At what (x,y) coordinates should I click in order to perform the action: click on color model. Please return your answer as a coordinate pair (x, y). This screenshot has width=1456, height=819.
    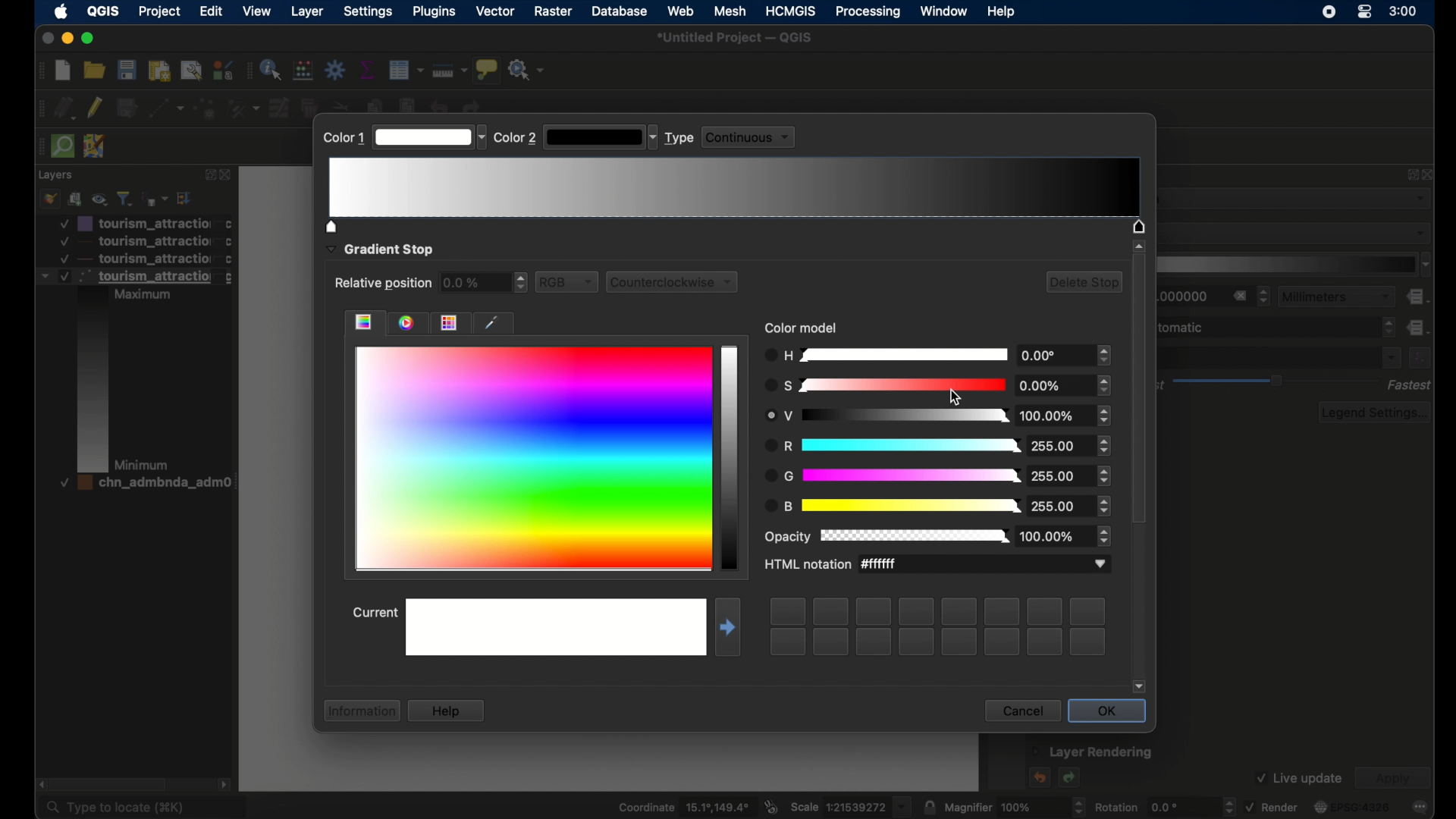
    Looking at the image, I should click on (805, 328).